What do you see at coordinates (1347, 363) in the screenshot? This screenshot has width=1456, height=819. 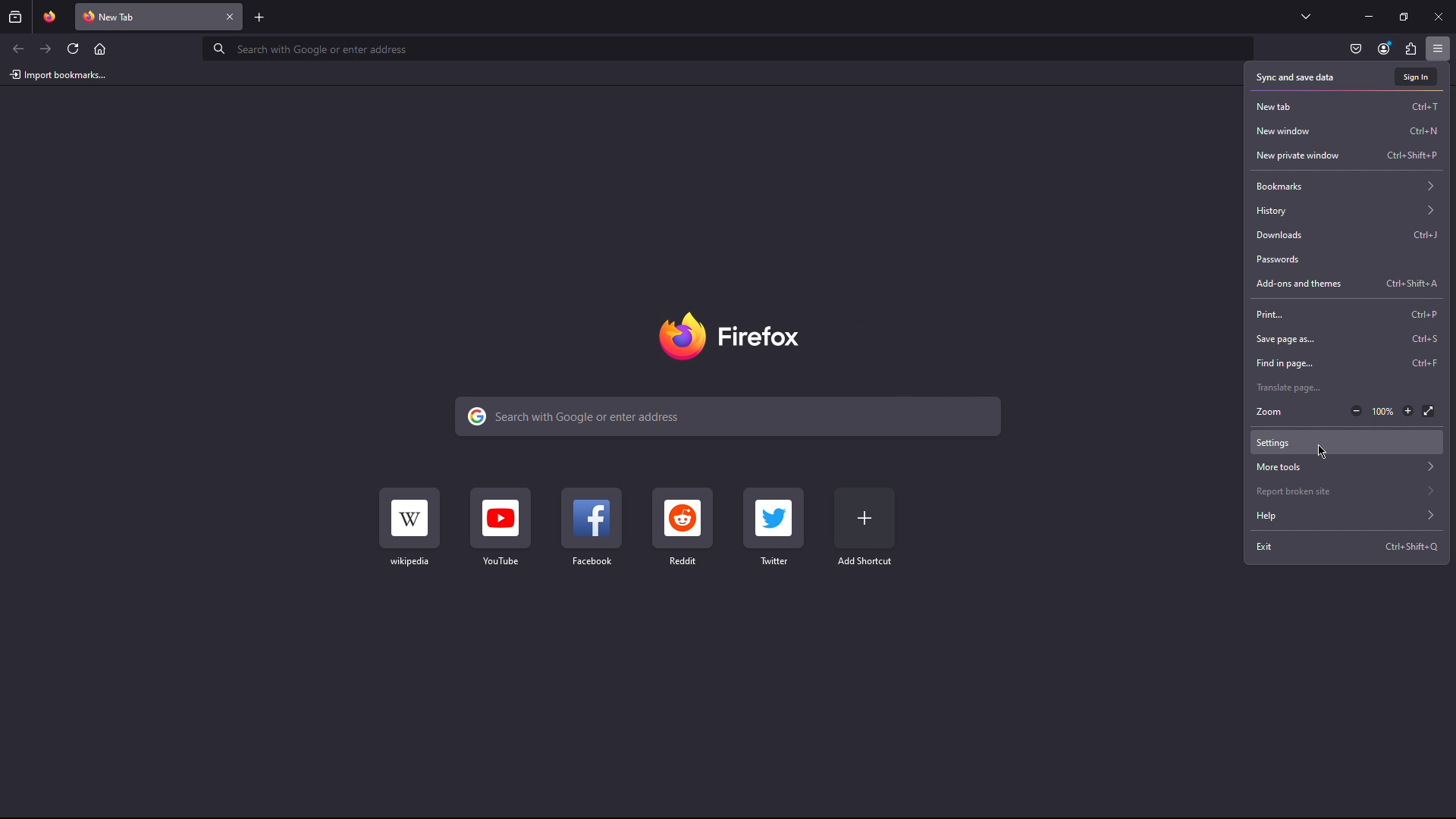 I see `Find in page` at bounding box center [1347, 363].